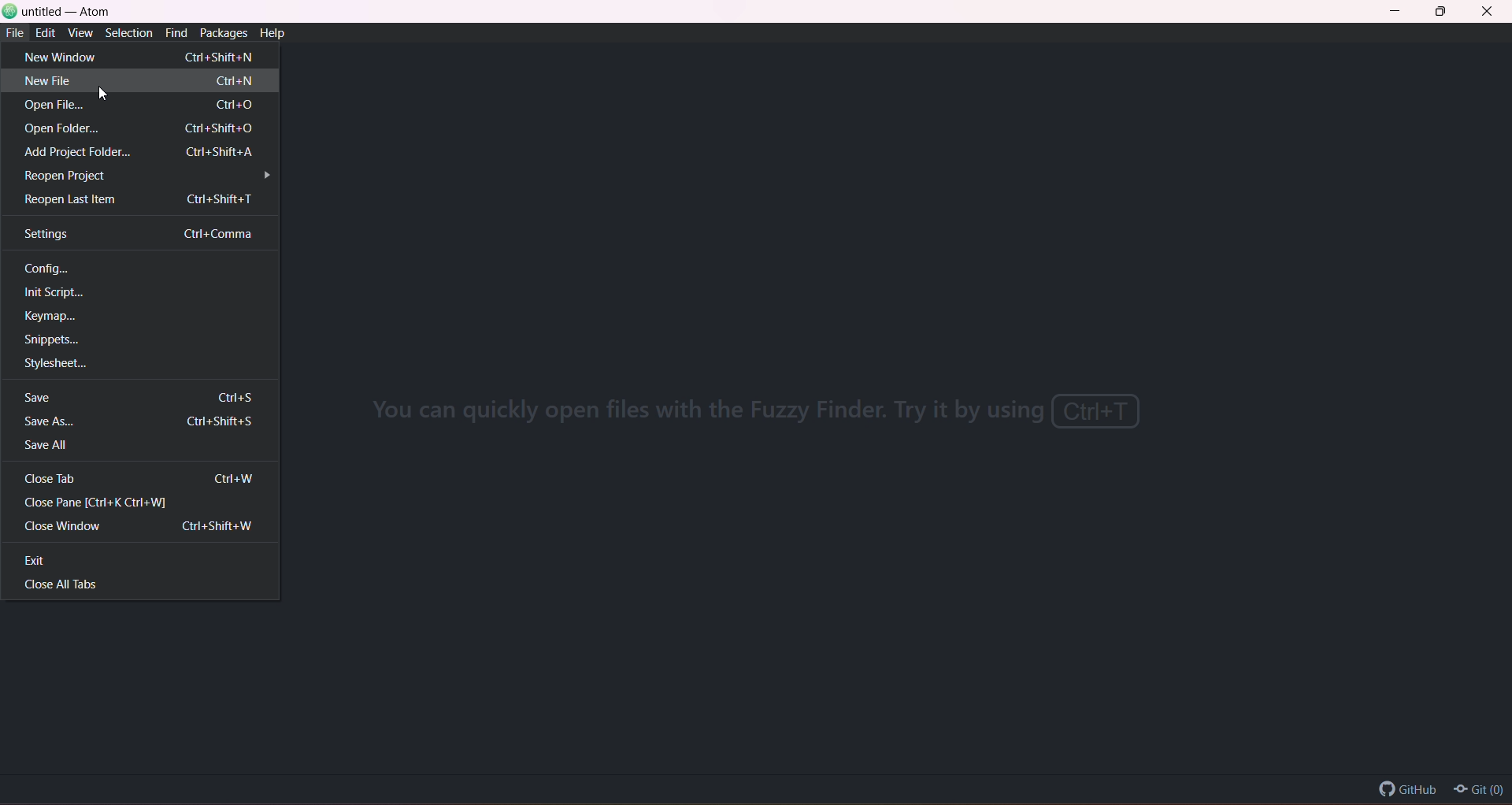  Describe the element at coordinates (46, 33) in the screenshot. I see `Edit` at that location.